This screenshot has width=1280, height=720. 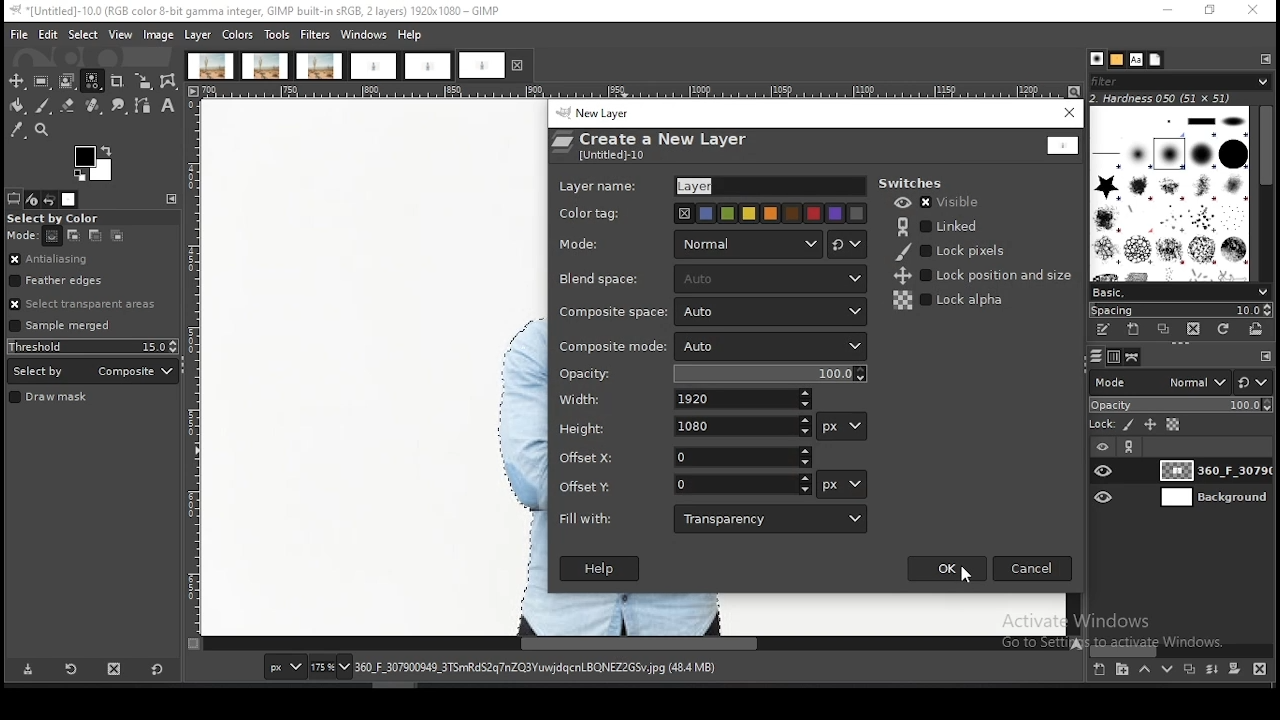 I want to click on move layer one step down, so click(x=1164, y=669).